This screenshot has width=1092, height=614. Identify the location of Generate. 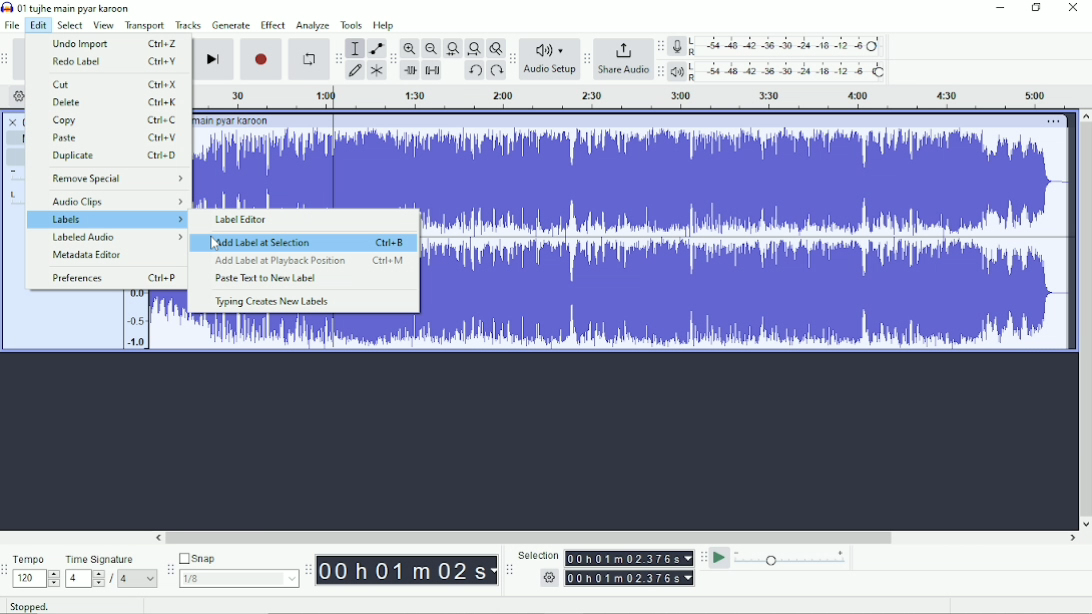
(231, 25).